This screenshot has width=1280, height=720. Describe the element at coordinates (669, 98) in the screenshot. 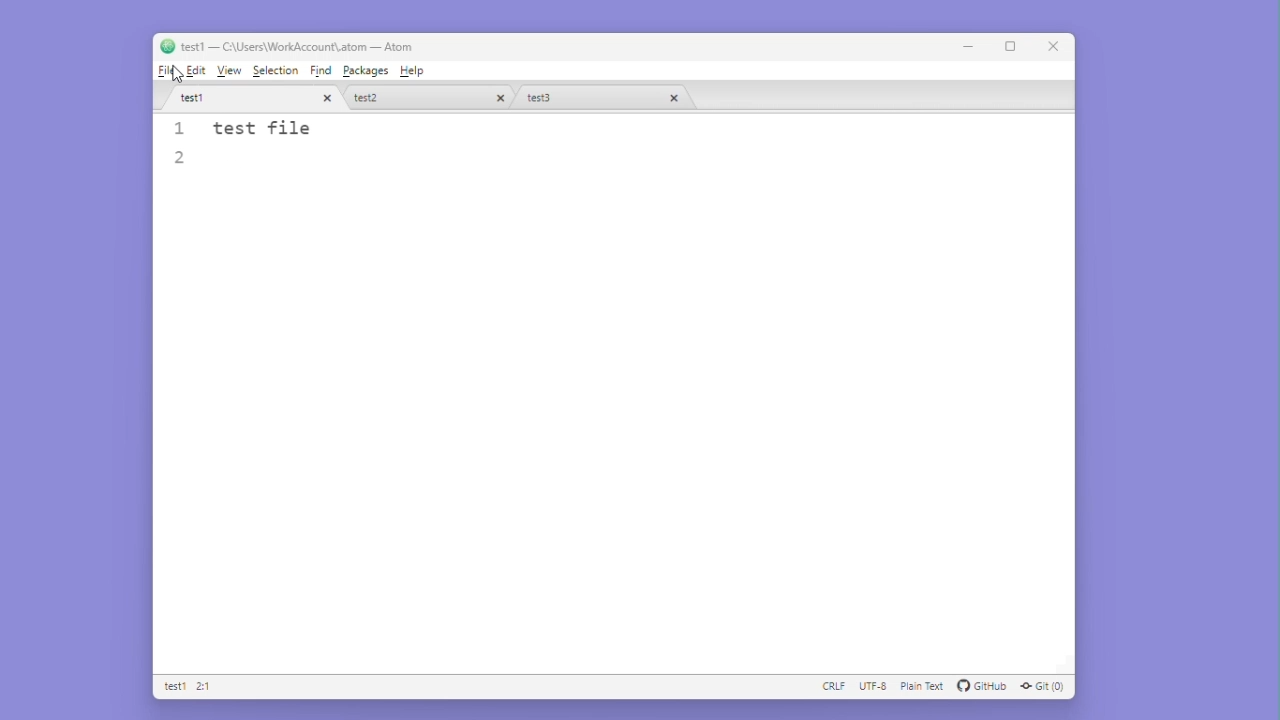

I see `close` at that location.